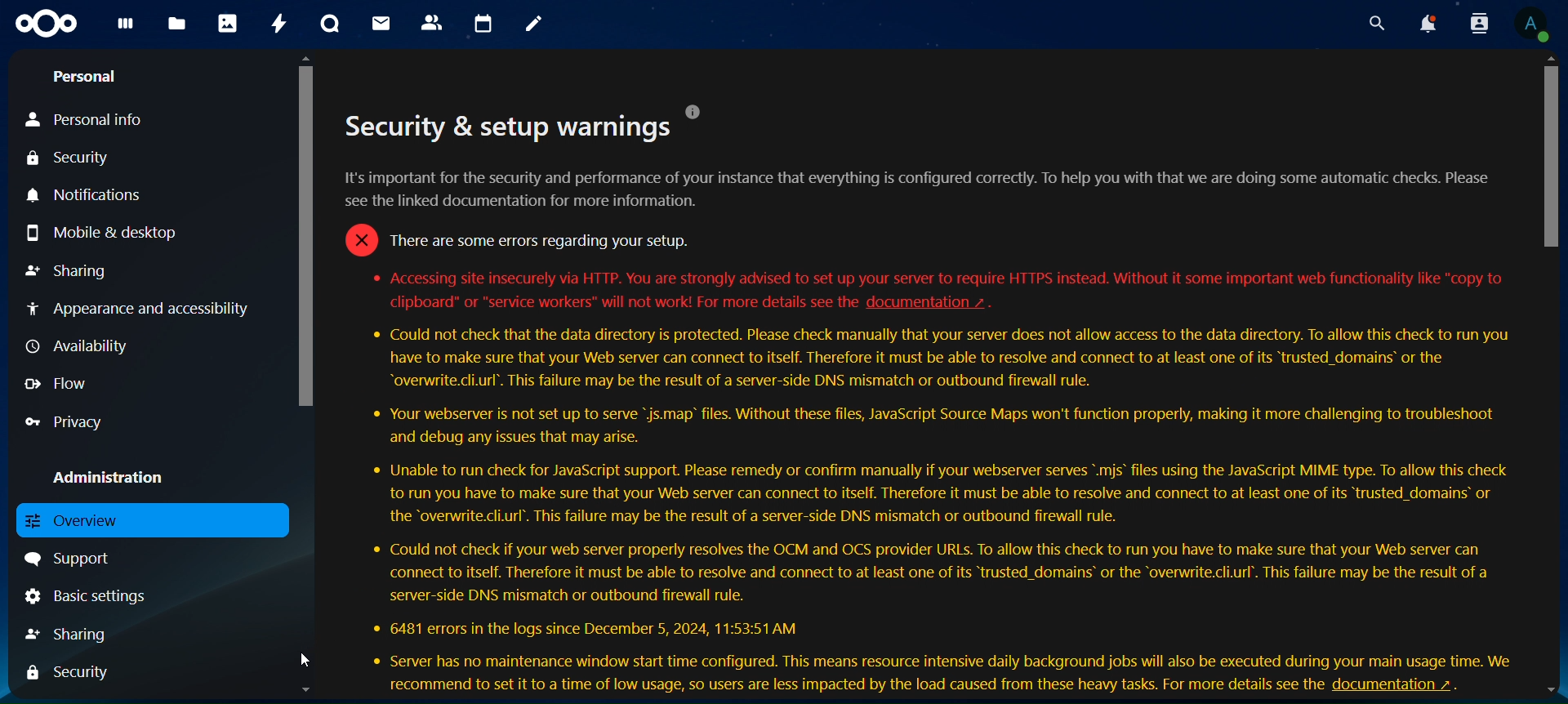  Describe the element at coordinates (927, 495) in the screenshot. I see `text` at that location.